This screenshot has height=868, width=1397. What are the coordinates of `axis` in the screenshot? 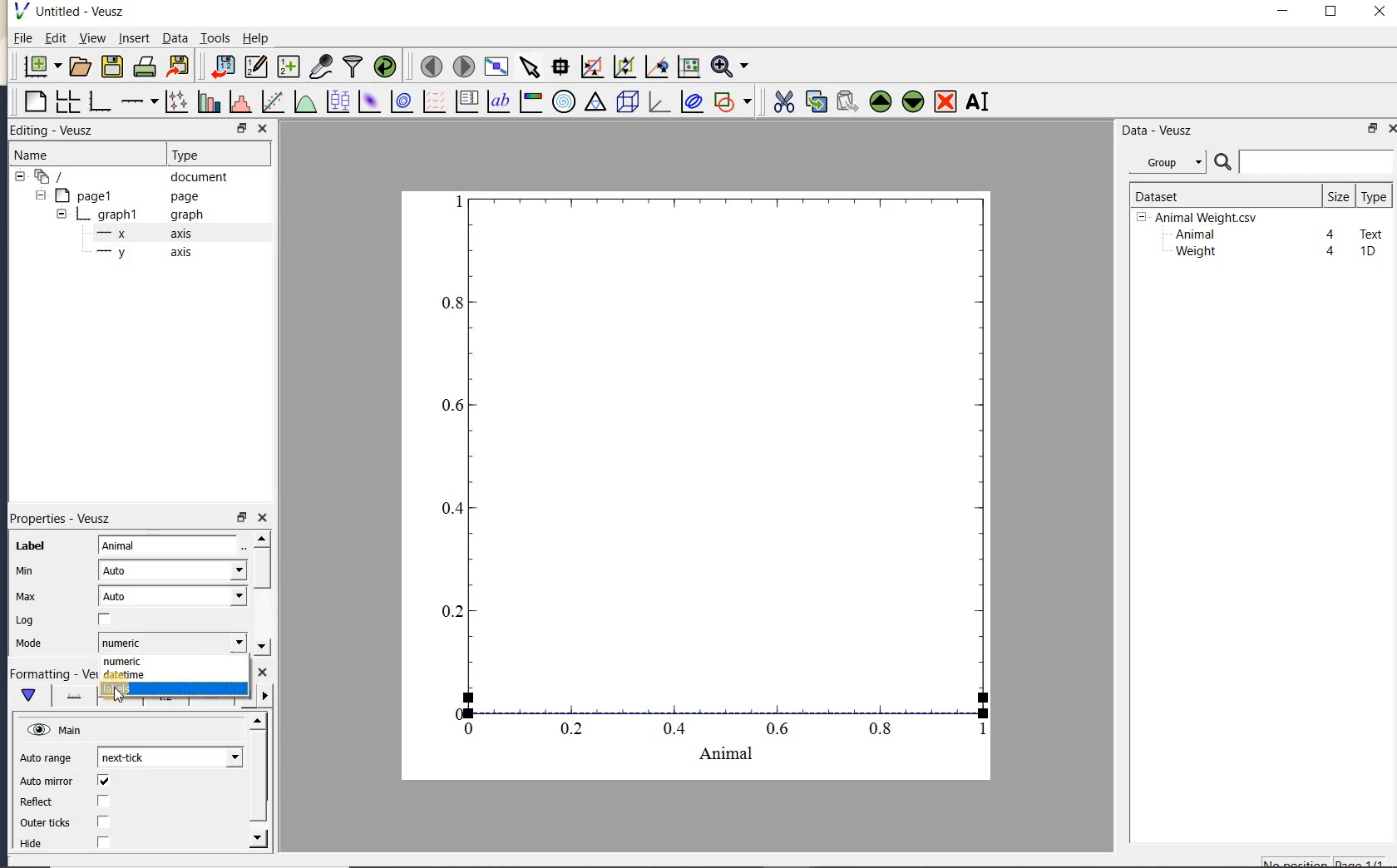 It's located at (140, 234).